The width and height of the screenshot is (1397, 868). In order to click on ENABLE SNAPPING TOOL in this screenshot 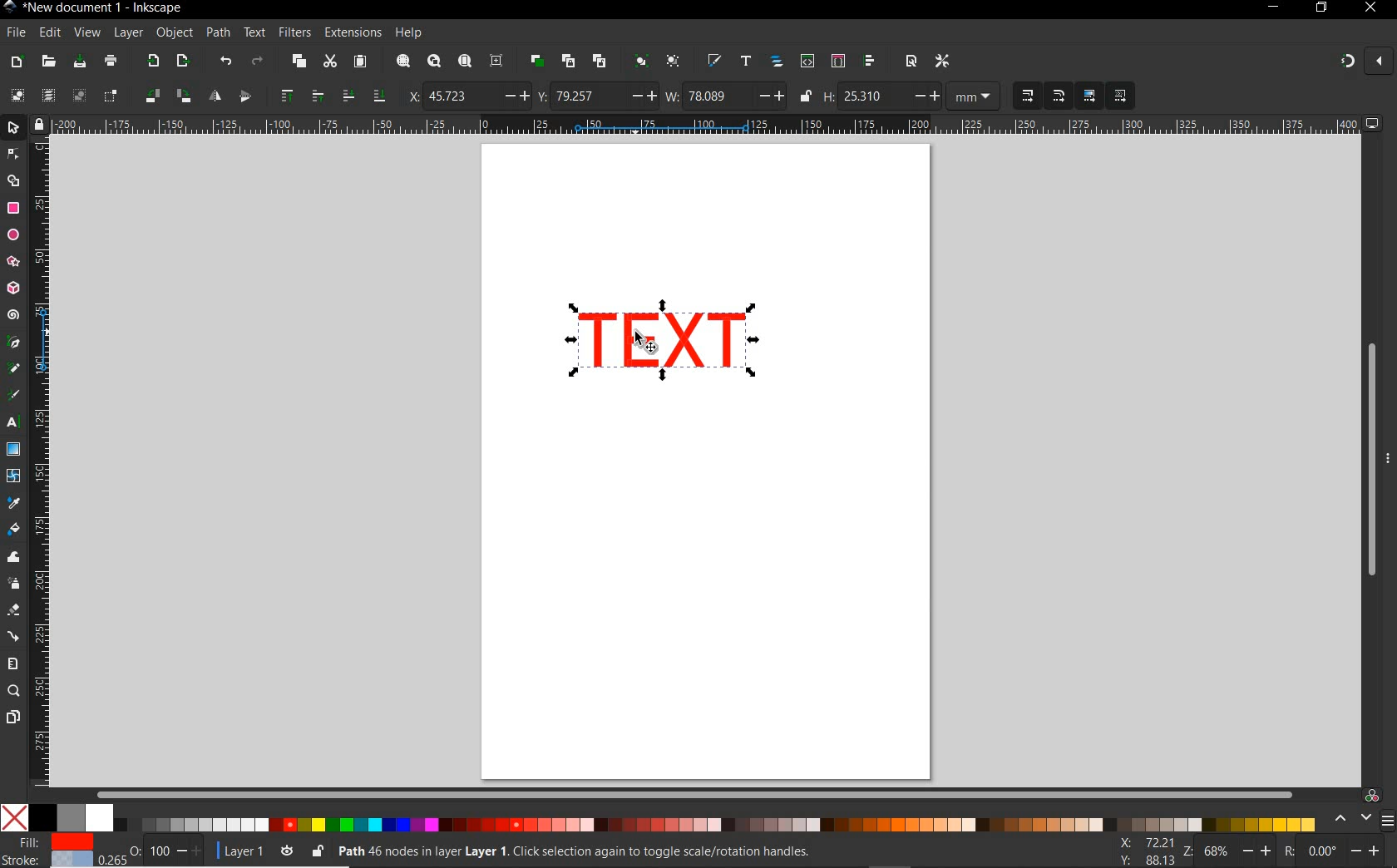, I will do `click(1365, 61)`.